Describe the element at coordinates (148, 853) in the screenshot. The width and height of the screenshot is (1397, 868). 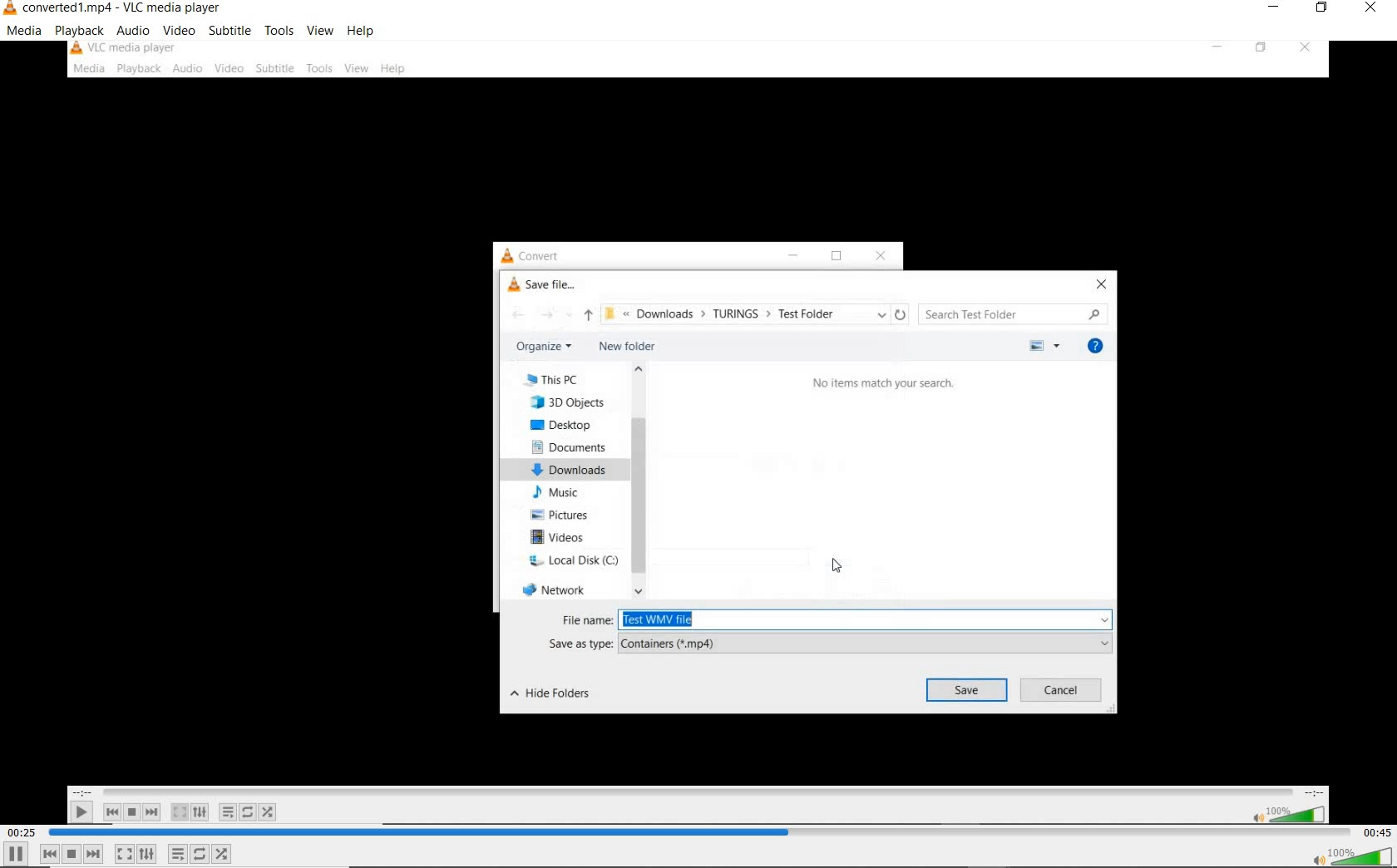
I see `show extended settings` at that location.